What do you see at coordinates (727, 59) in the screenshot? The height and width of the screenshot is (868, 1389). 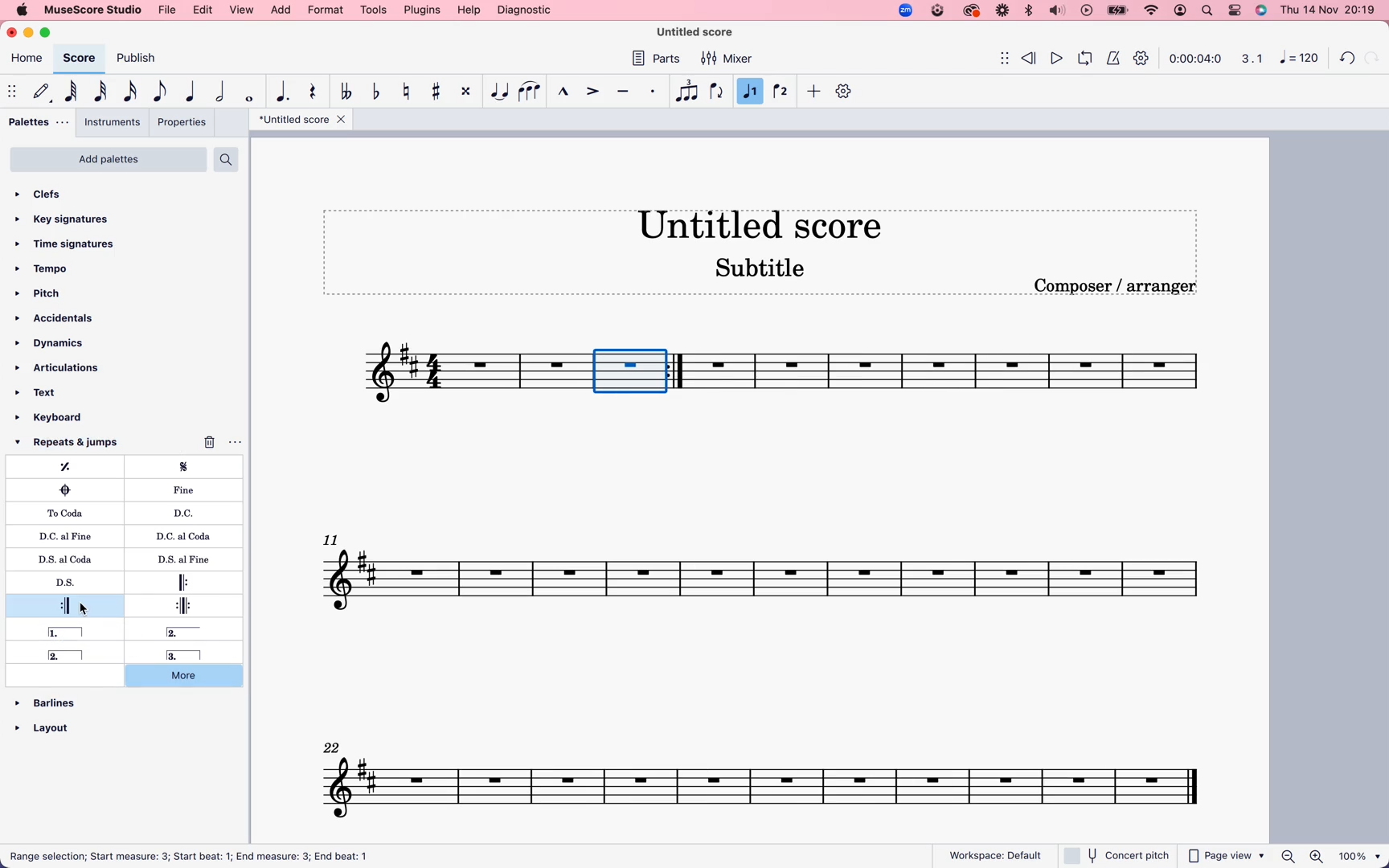 I see `mixer` at bounding box center [727, 59].